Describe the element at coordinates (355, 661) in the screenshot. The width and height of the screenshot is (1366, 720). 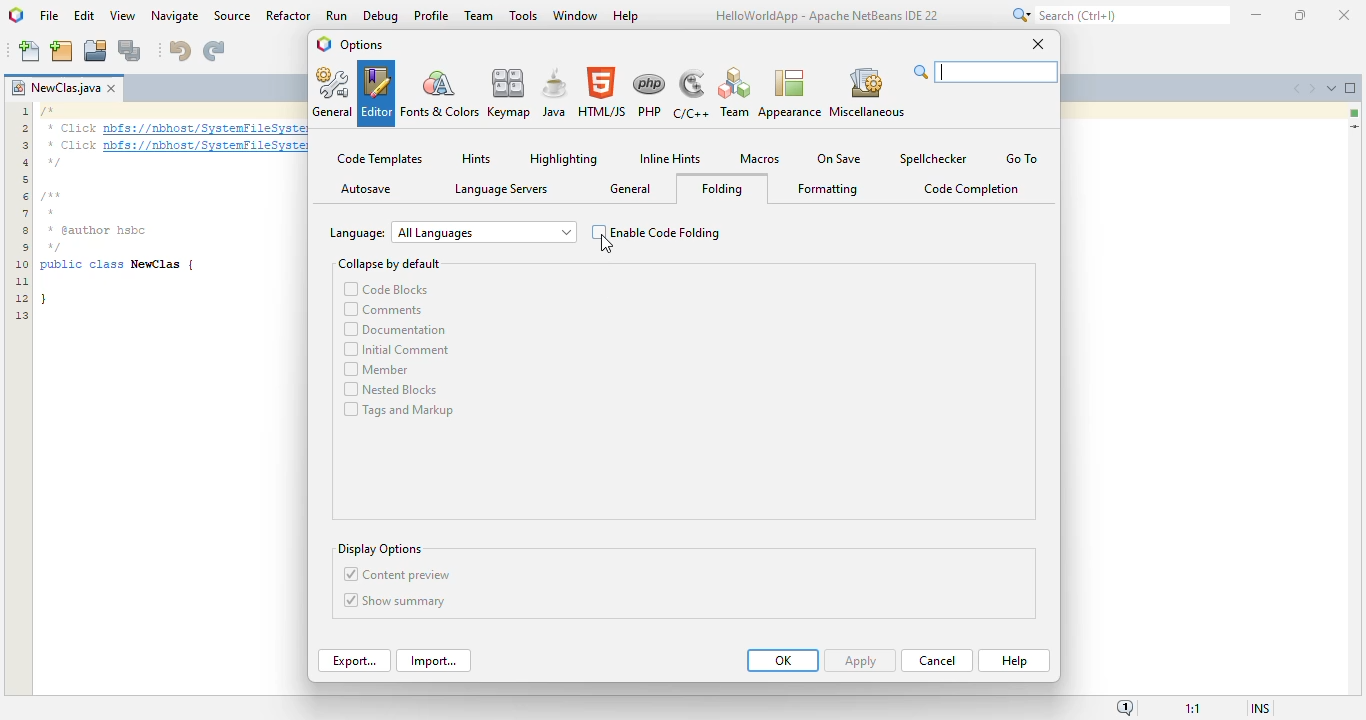
I see `export` at that location.